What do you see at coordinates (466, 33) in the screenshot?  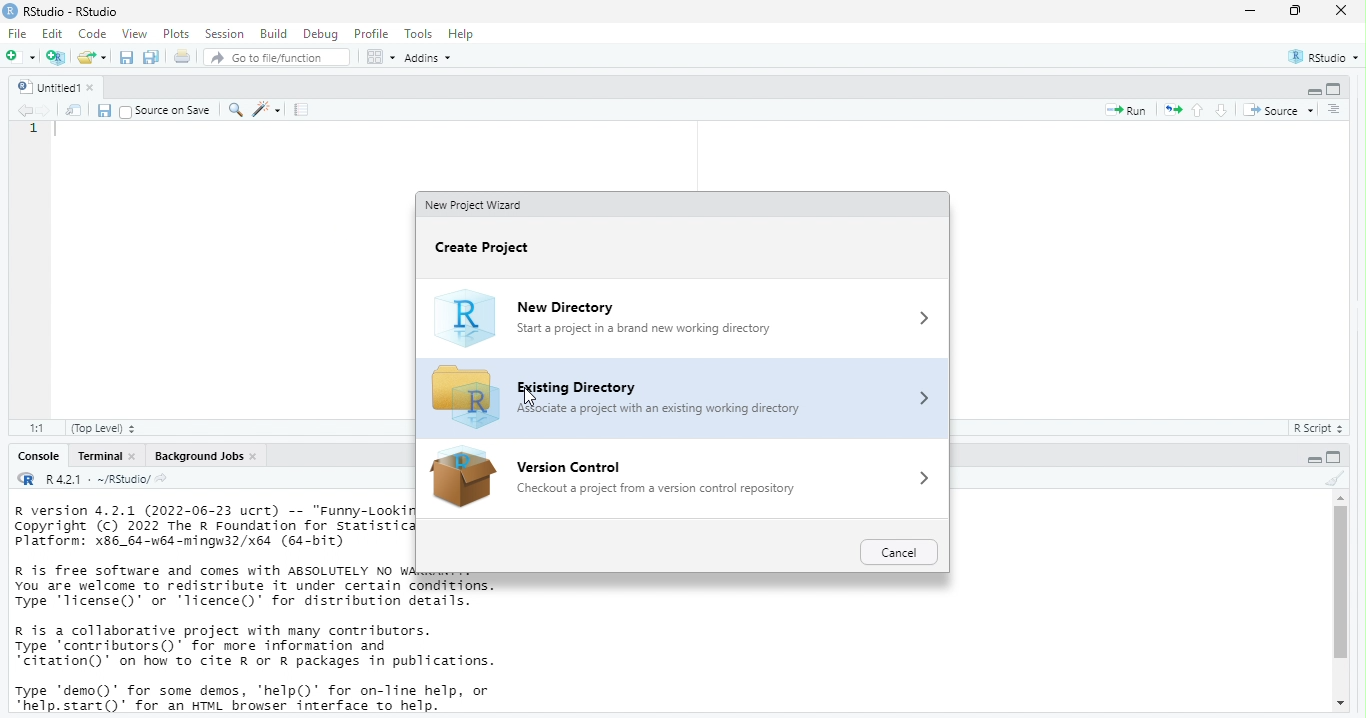 I see `help` at bounding box center [466, 33].